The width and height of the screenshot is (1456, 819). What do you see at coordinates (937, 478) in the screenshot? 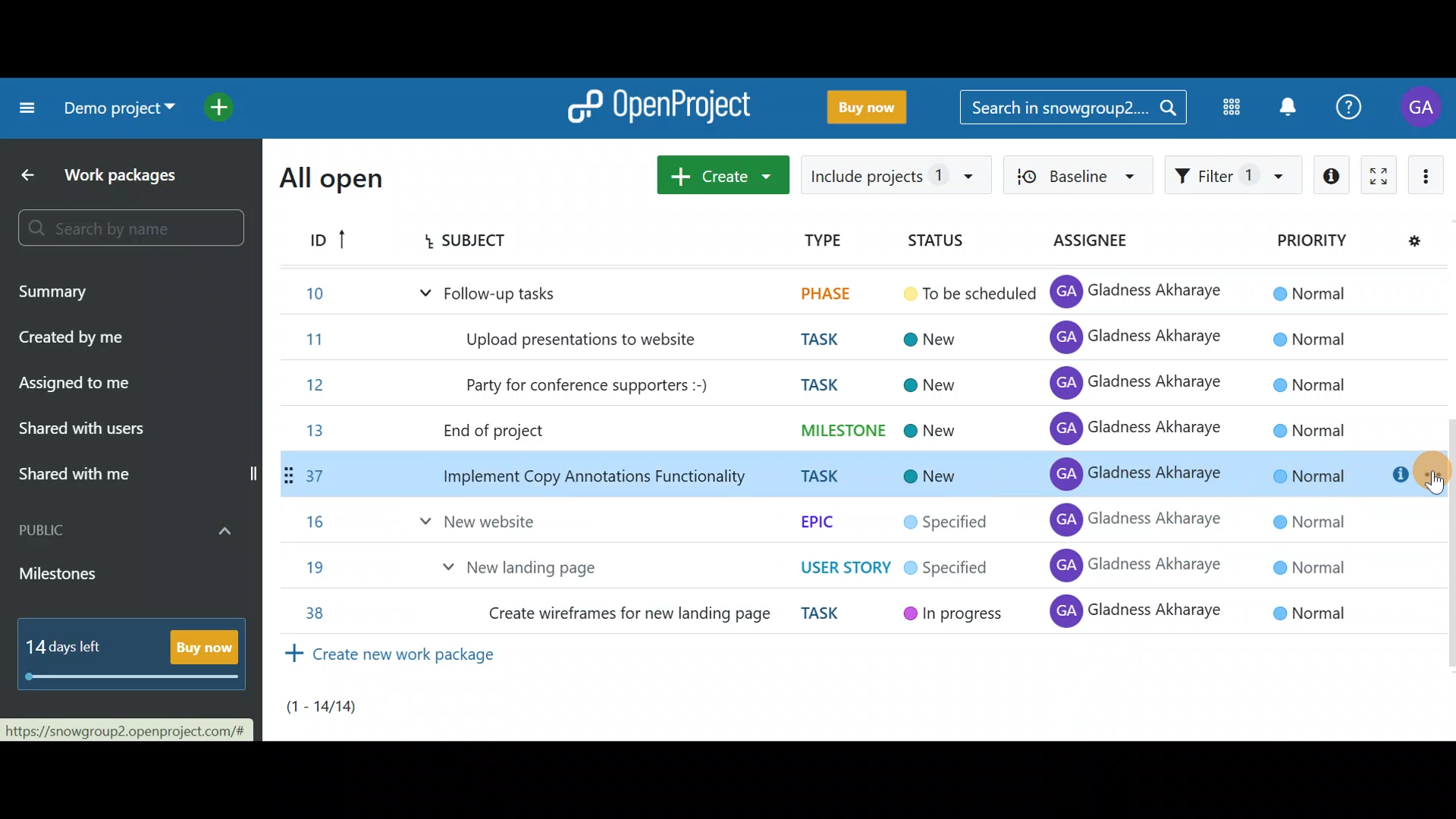
I see `New` at bounding box center [937, 478].